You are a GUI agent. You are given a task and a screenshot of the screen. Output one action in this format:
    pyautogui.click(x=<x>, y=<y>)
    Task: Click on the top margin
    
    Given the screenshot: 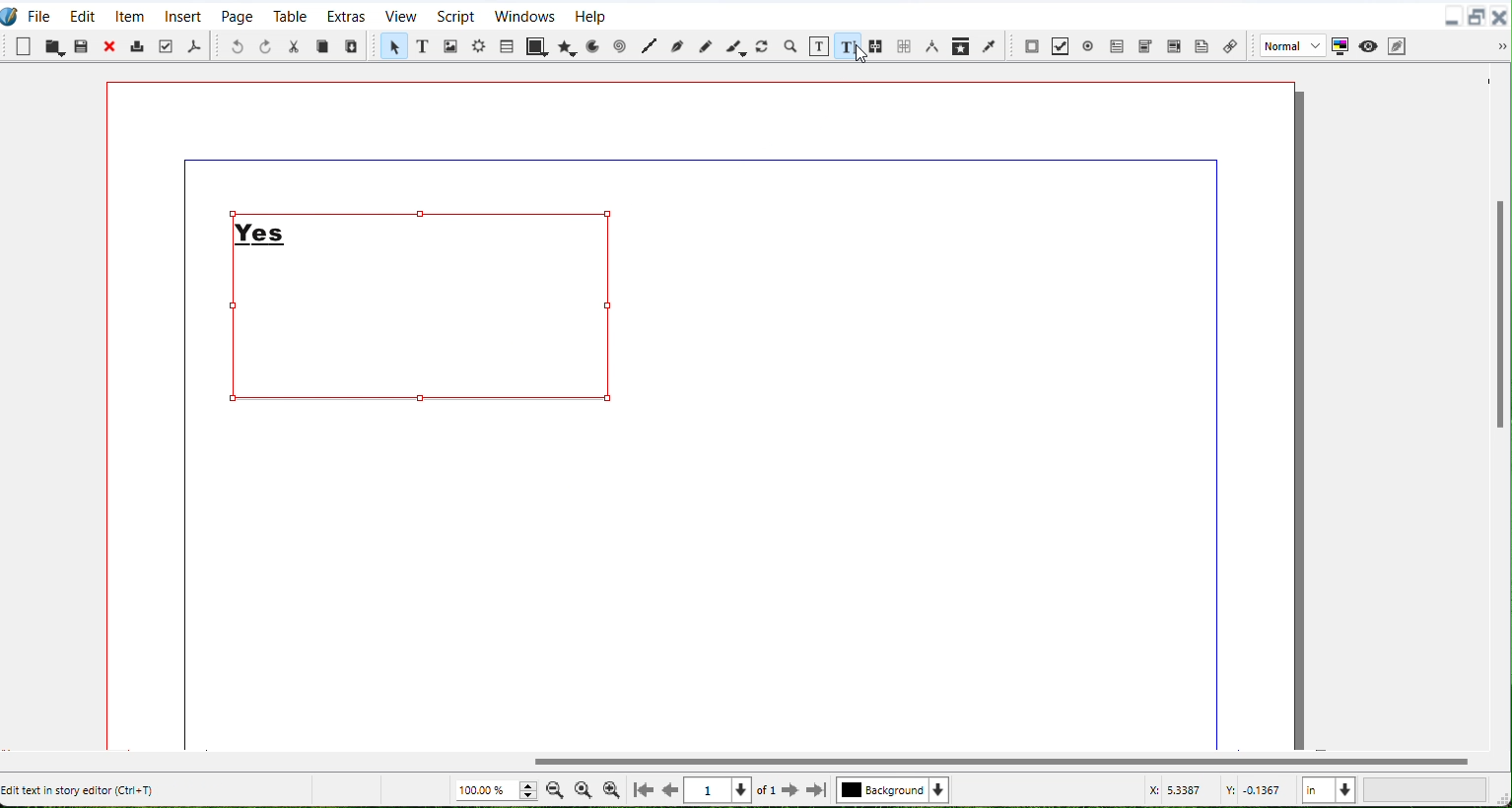 What is the action you would take?
    pyautogui.click(x=697, y=157)
    